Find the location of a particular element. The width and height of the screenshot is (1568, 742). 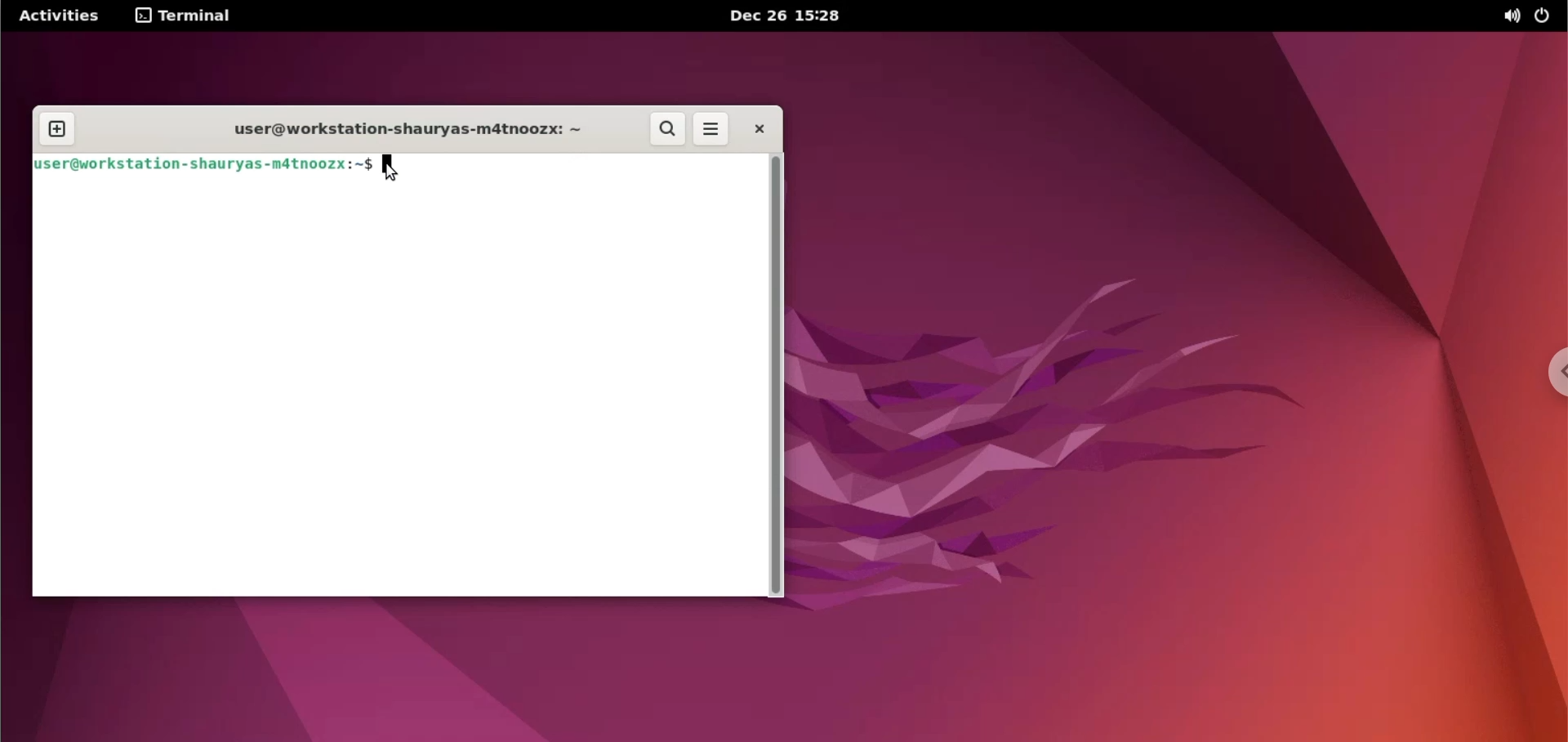

user@workstation-shauryas-m4tnoozx:~$ is located at coordinates (202, 164).